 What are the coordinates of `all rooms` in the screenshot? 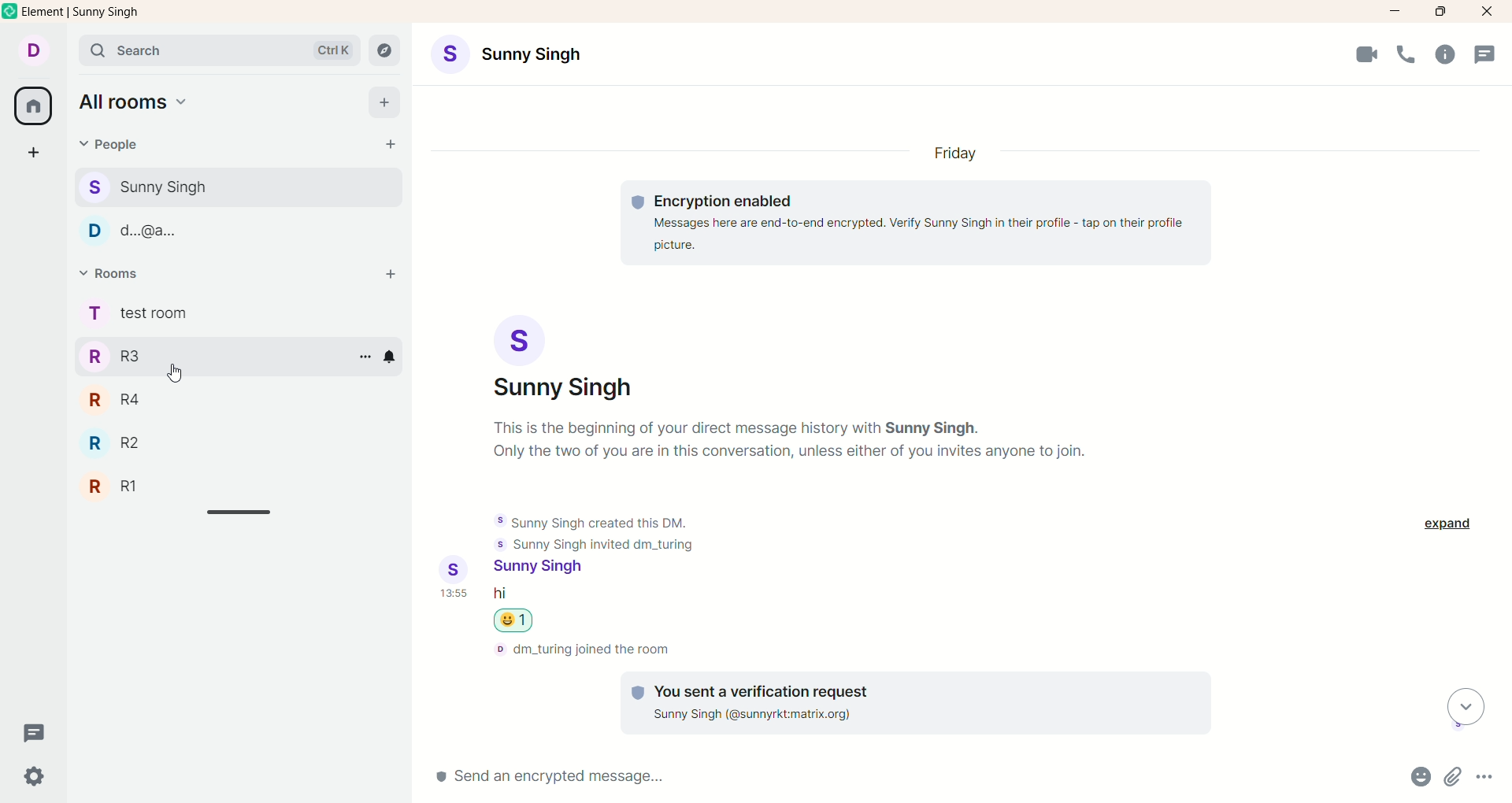 It's located at (146, 105).